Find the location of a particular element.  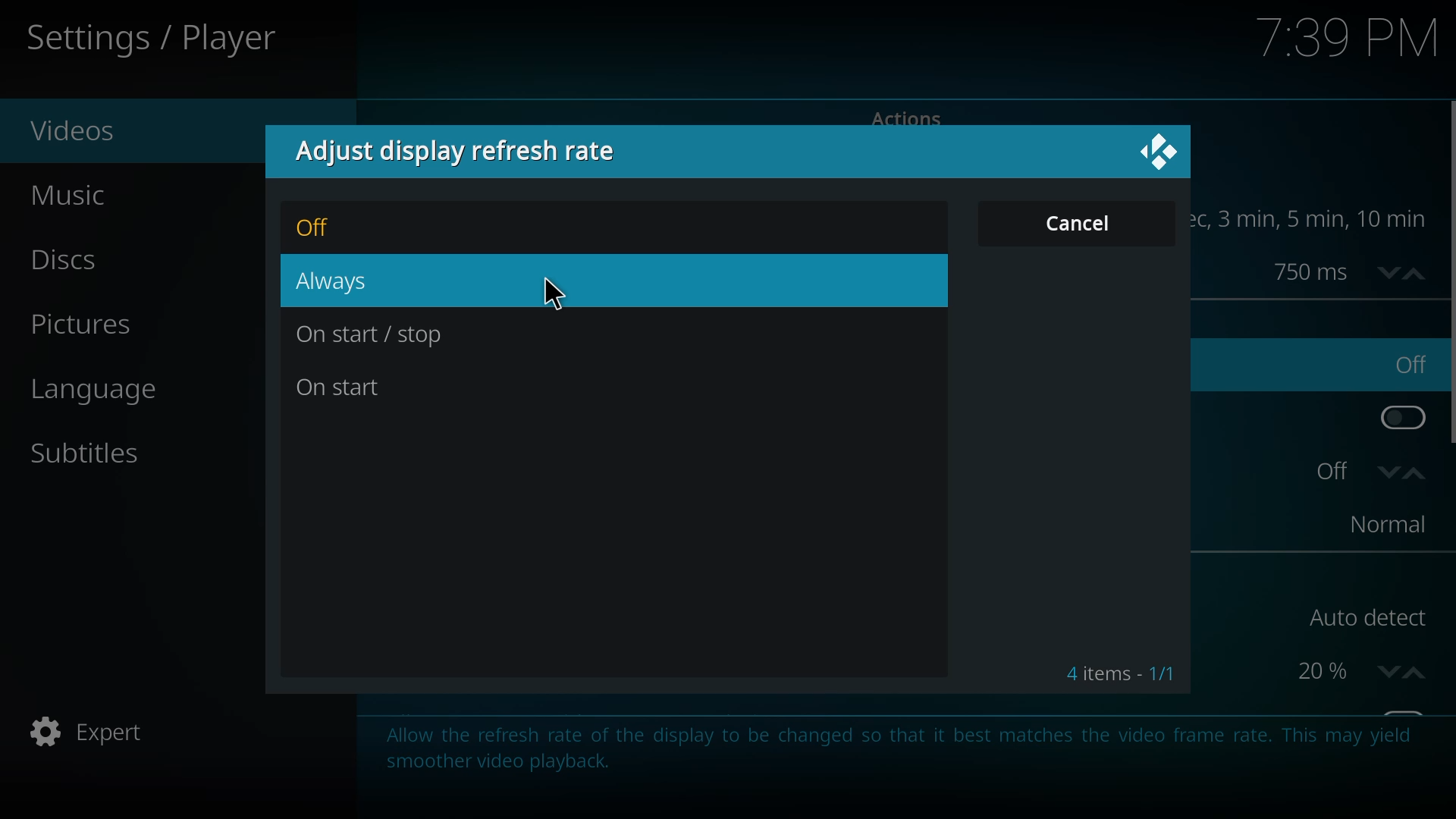

videos is located at coordinates (83, 130).